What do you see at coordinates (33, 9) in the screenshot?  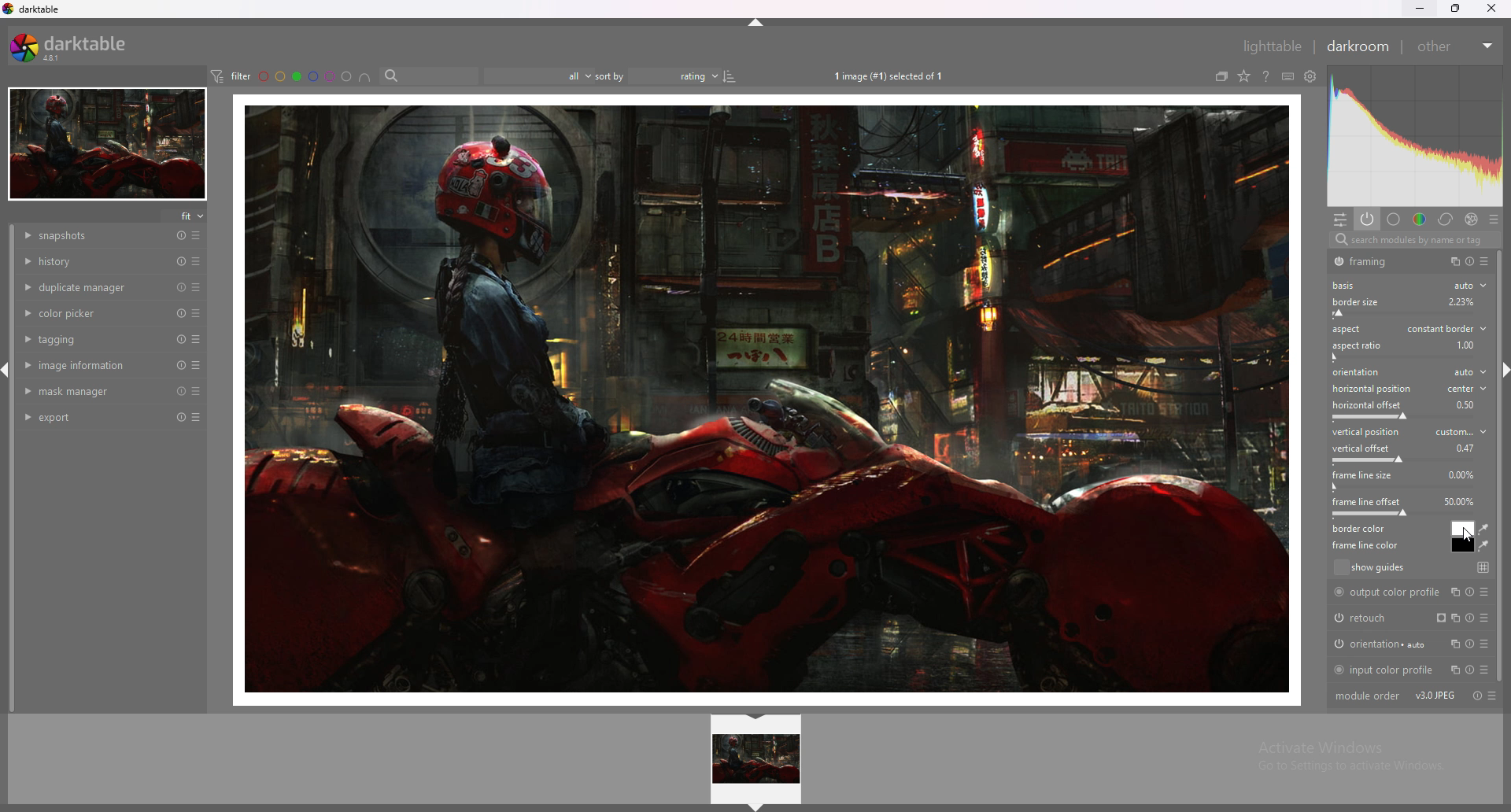 I see `darktable` at bounding box center [33, 9].